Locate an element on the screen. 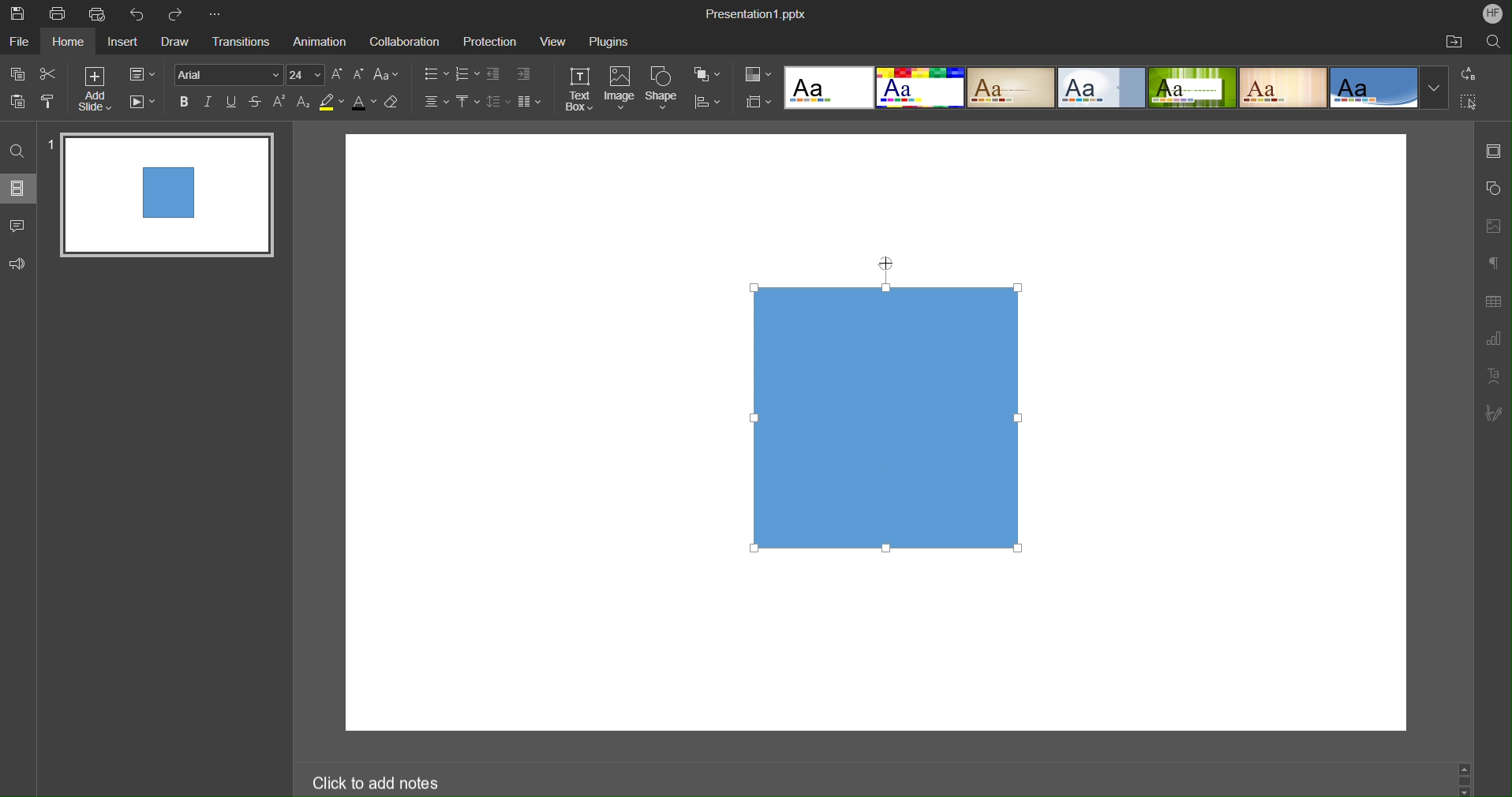 The width and height of the screenshot is (1512, 797). Shape Settings is located at coordinates (1491, 189).